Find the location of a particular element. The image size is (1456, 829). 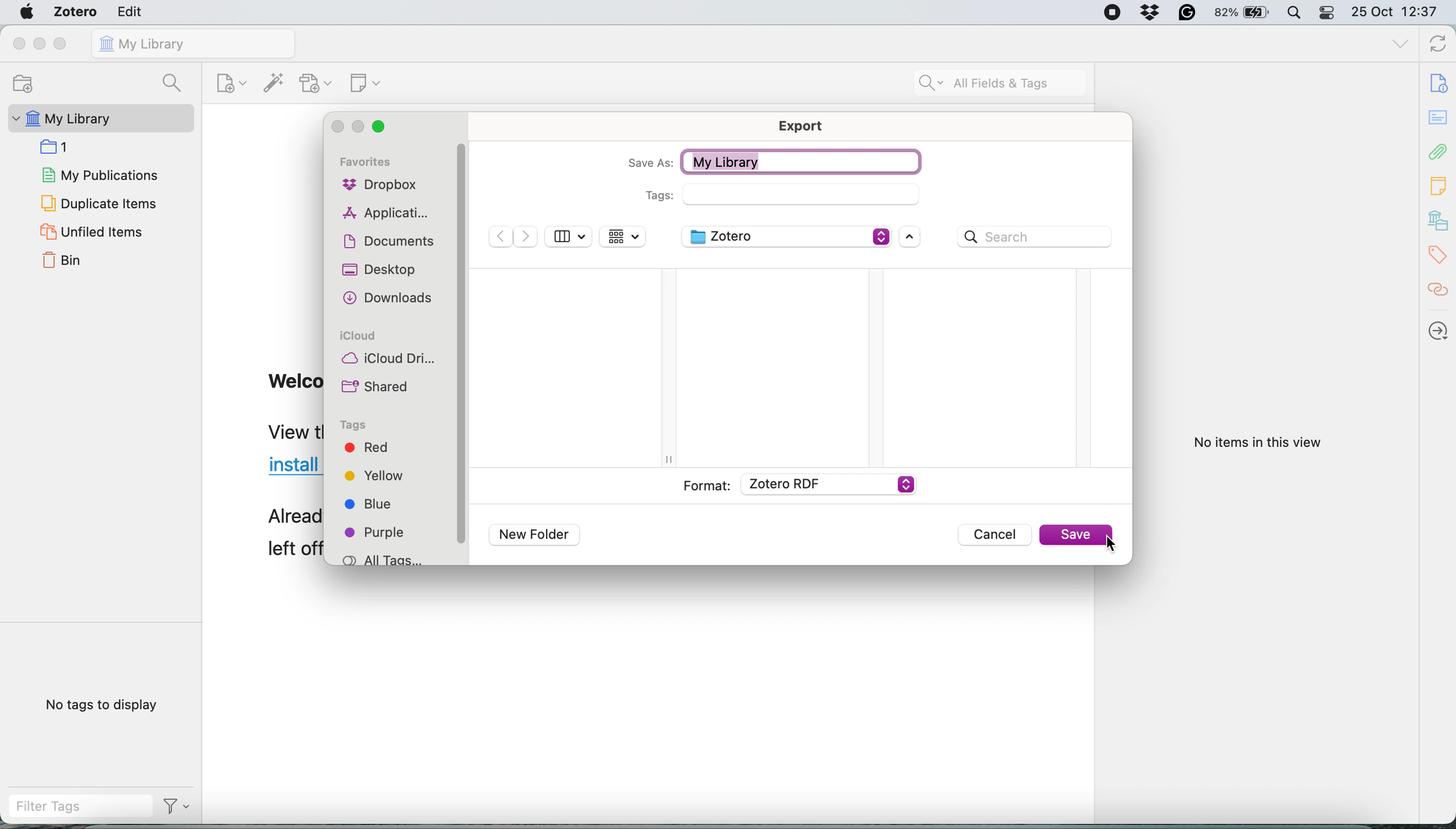

Scroll Bar is located at coordinates (462, 353).